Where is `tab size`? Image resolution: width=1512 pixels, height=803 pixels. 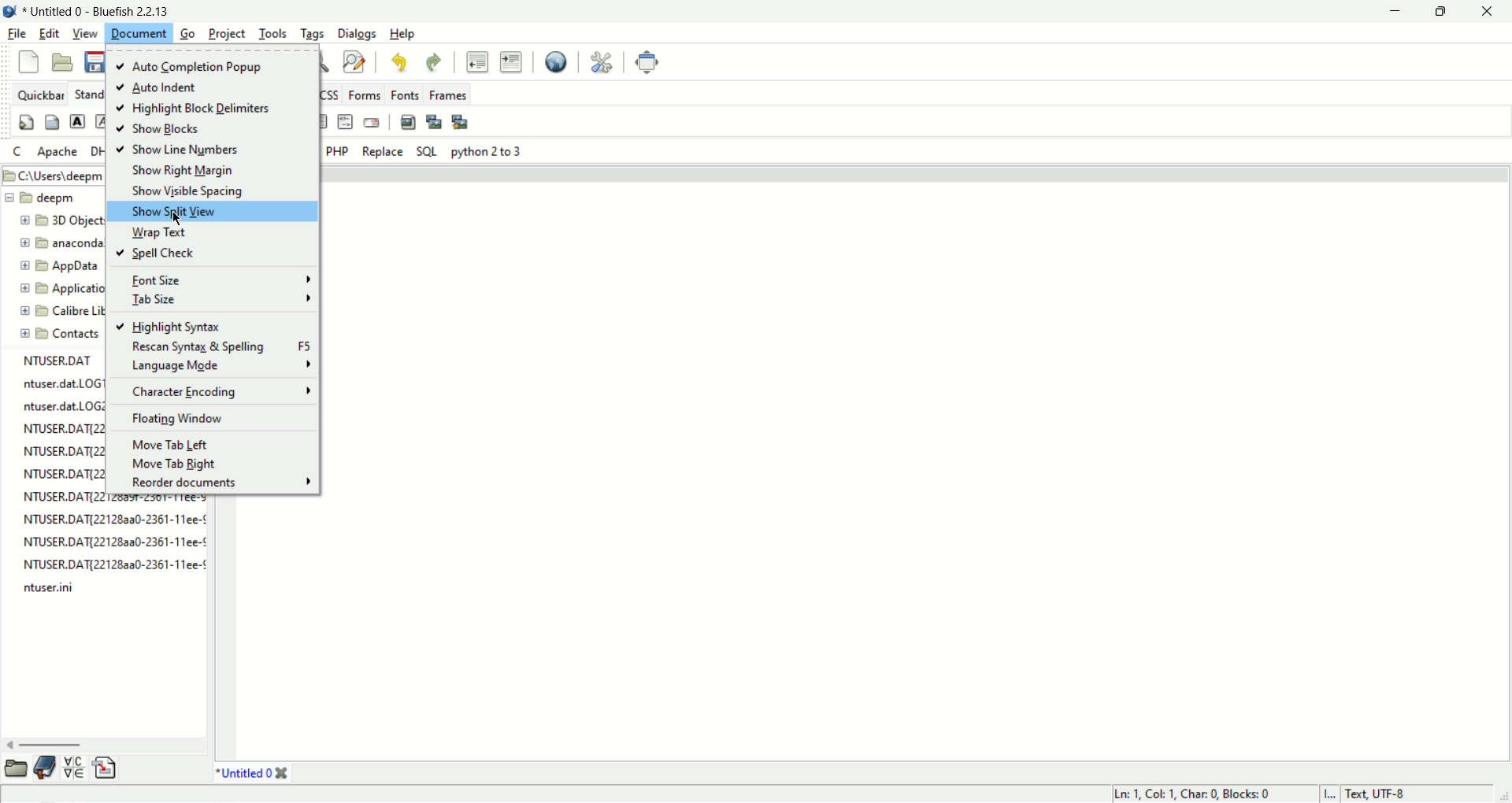
tab size is located at coordinates (217, 300).